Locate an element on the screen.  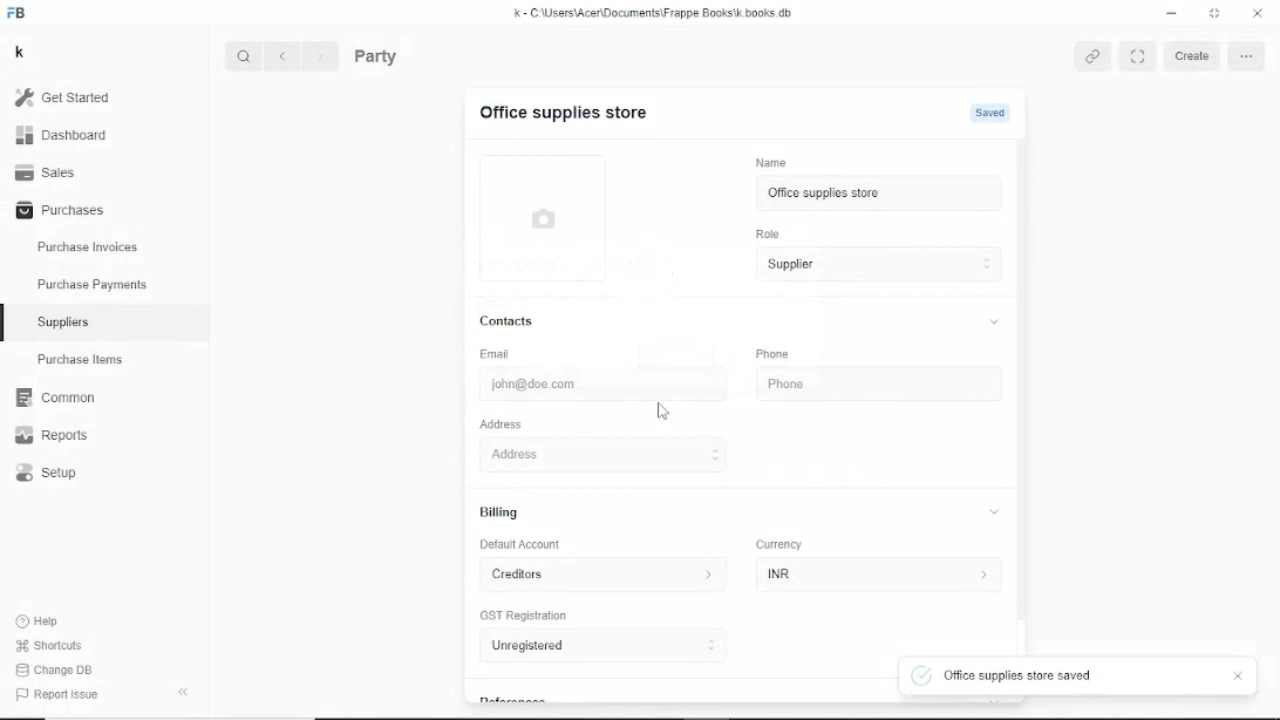
View linked entries is located at coordinates (1097, 57).